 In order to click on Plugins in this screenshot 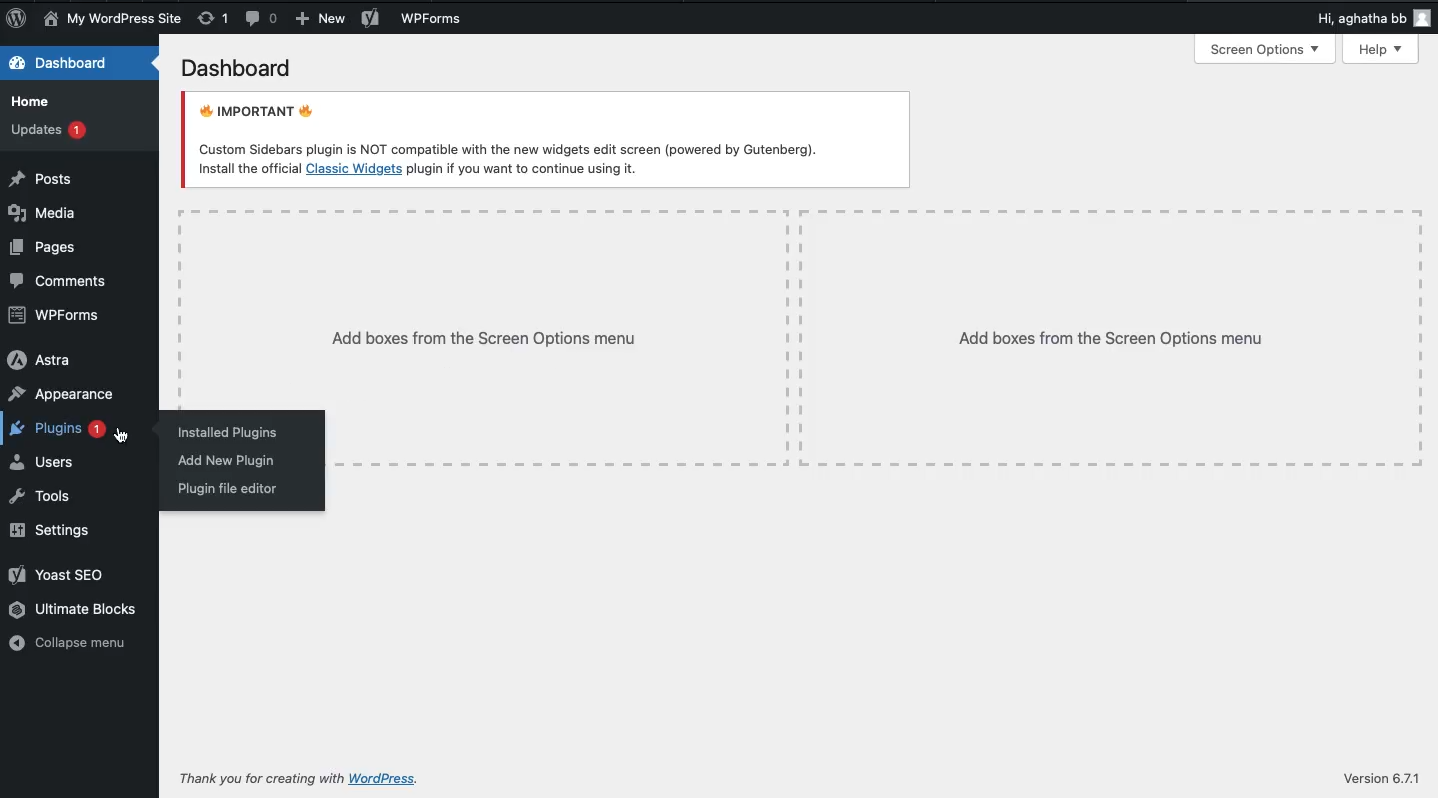, I will do `click(56, 427)`.